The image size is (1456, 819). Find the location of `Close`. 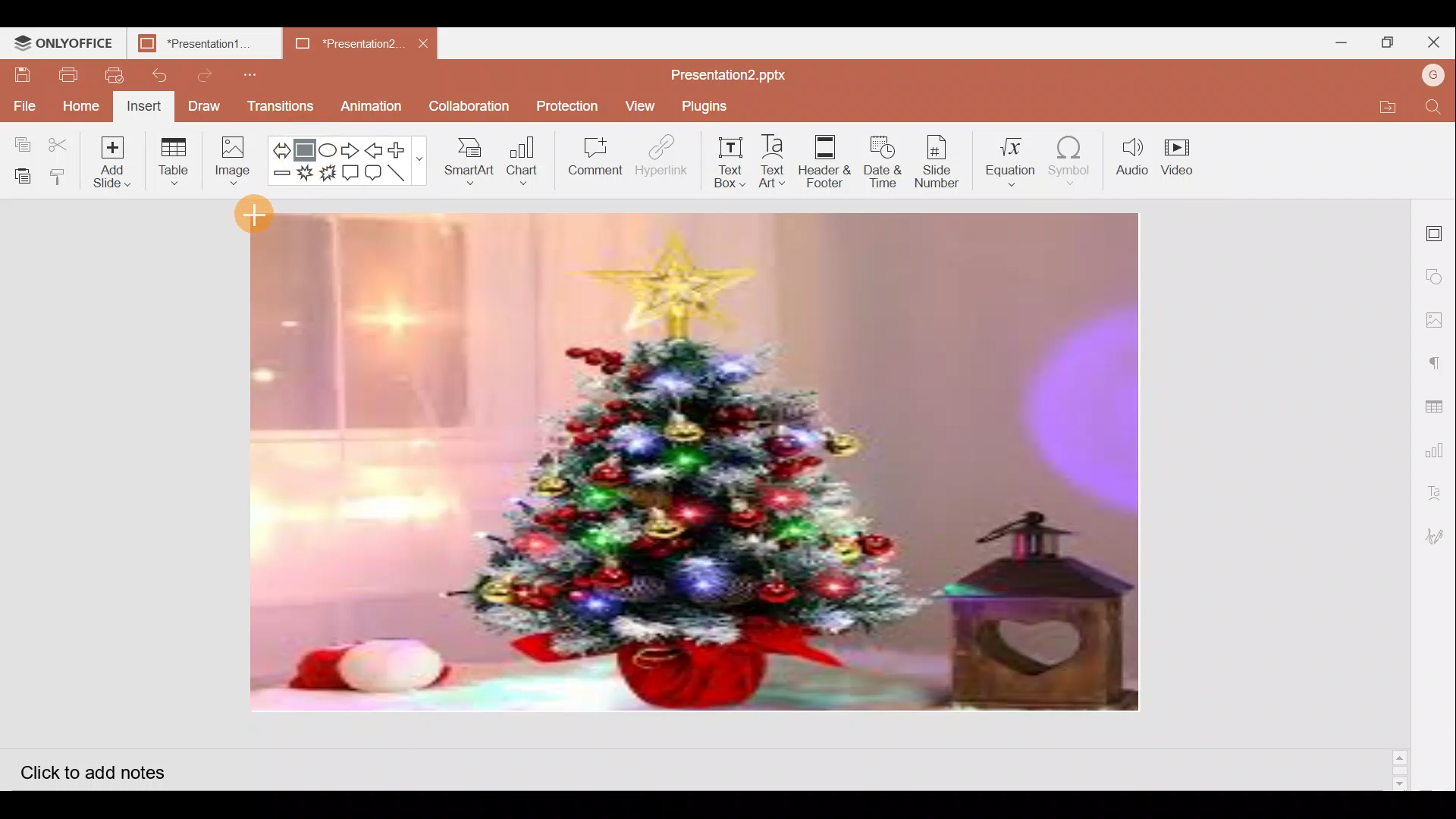

Close is located at coordinates (1434, 41).